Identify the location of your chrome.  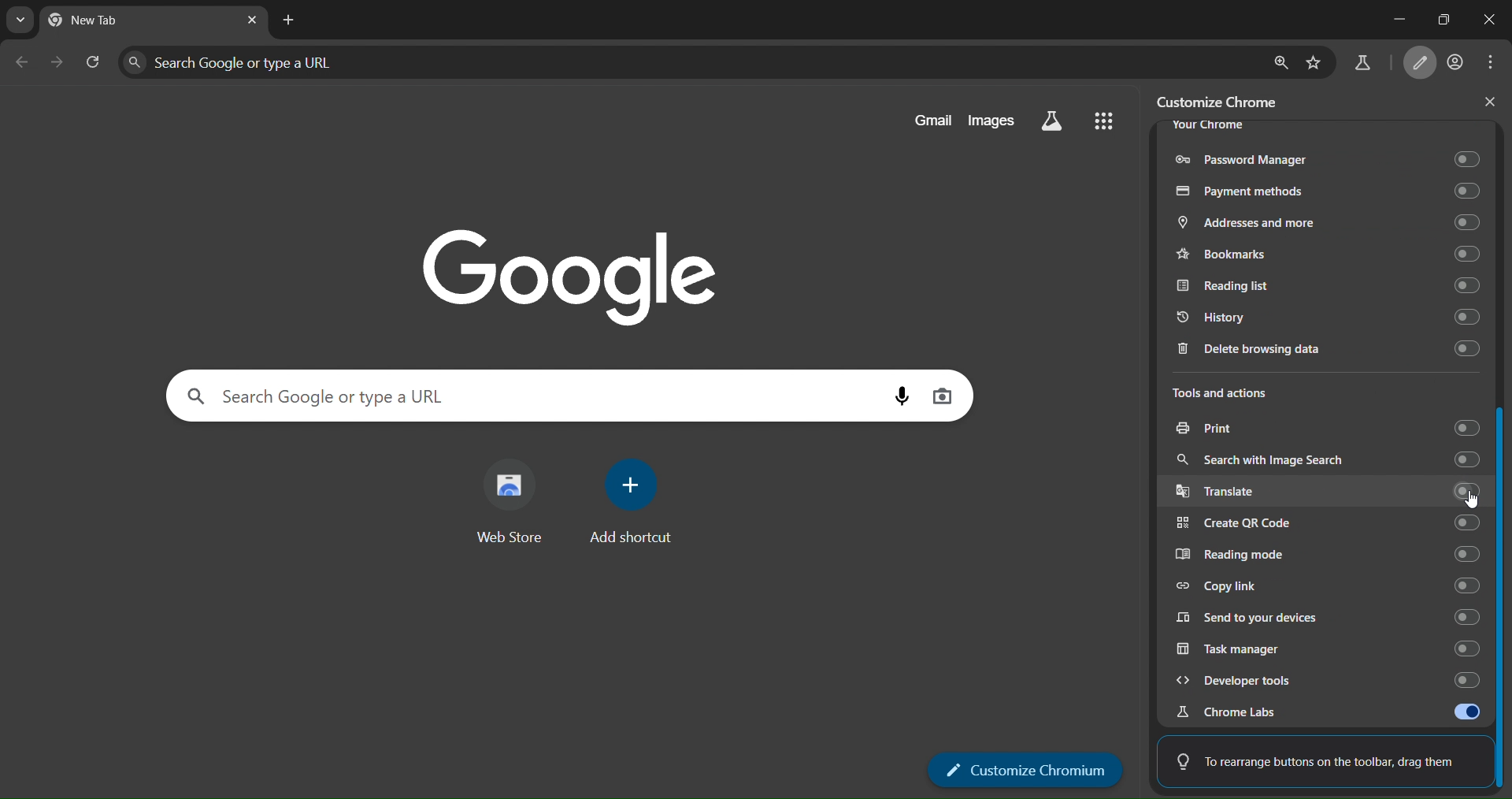
(1210, 127).